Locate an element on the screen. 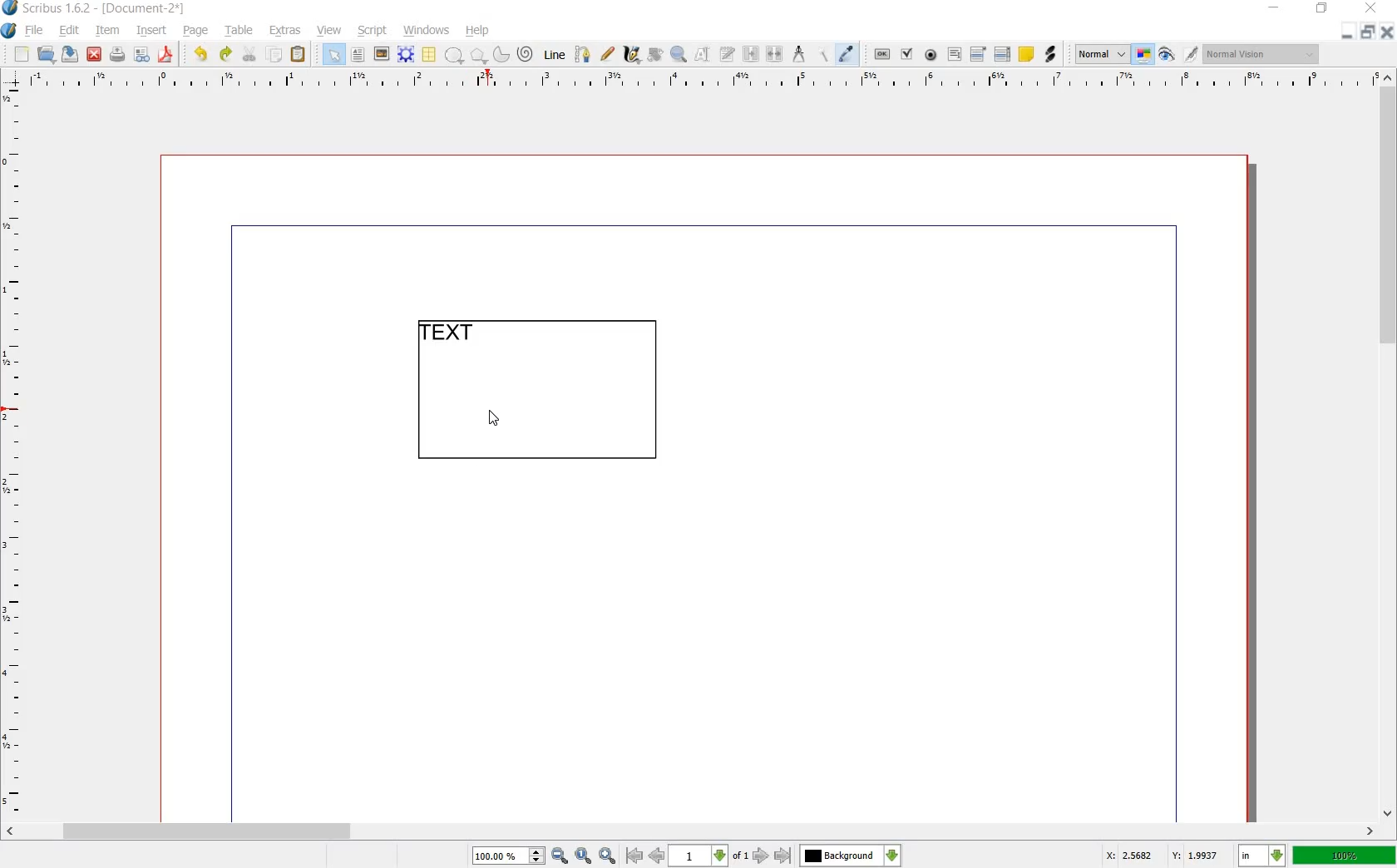 This screenshot has width=1397, height=868. normal Vision is located at coordinates (1264, 53).